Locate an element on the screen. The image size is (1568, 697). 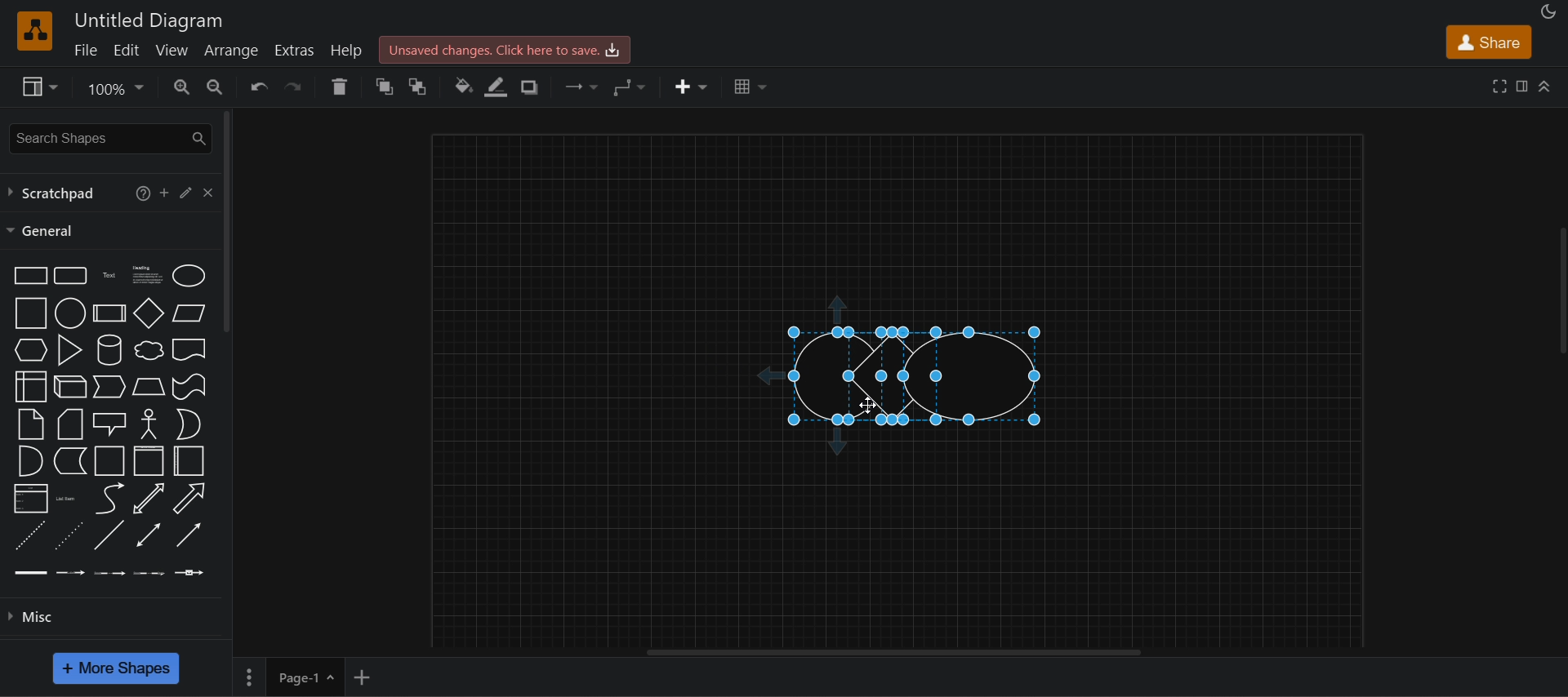
Horizontal container is located at coordinates (189, 462).